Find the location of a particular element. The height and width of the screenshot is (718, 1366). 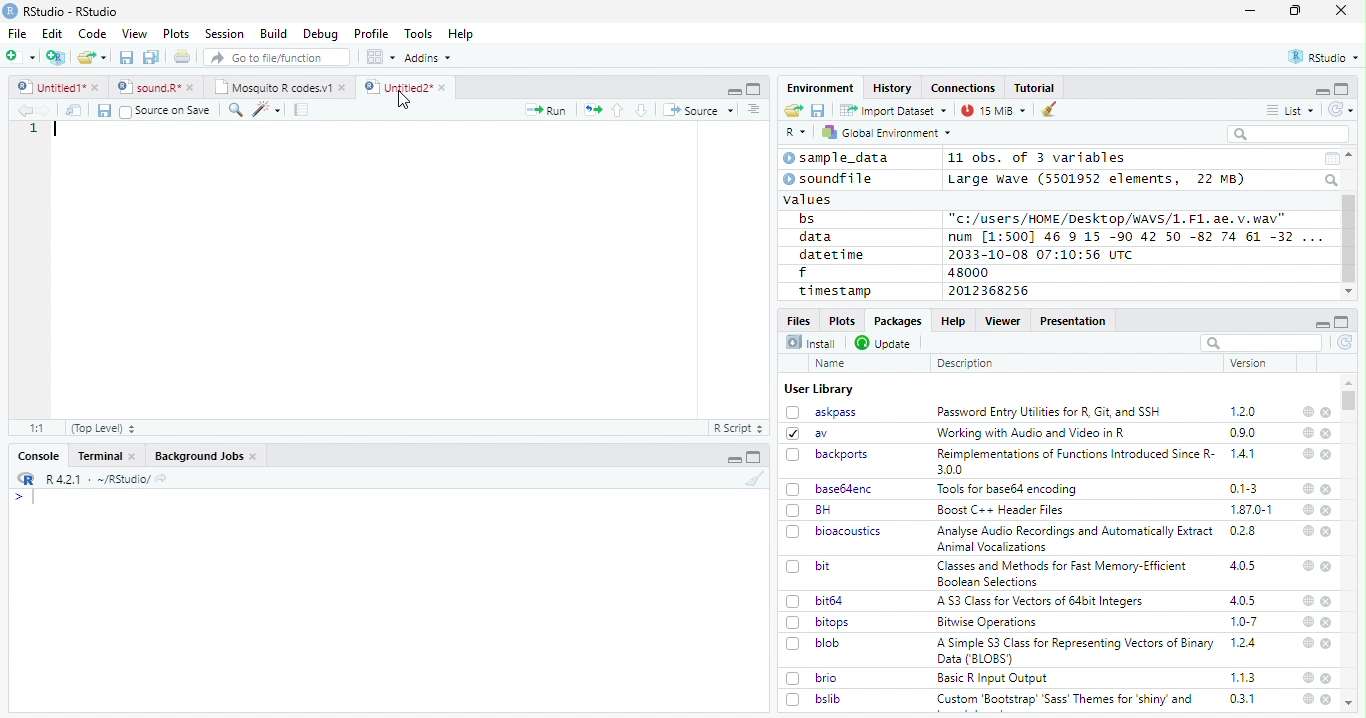

minimize is located at coordinates (733, 89).